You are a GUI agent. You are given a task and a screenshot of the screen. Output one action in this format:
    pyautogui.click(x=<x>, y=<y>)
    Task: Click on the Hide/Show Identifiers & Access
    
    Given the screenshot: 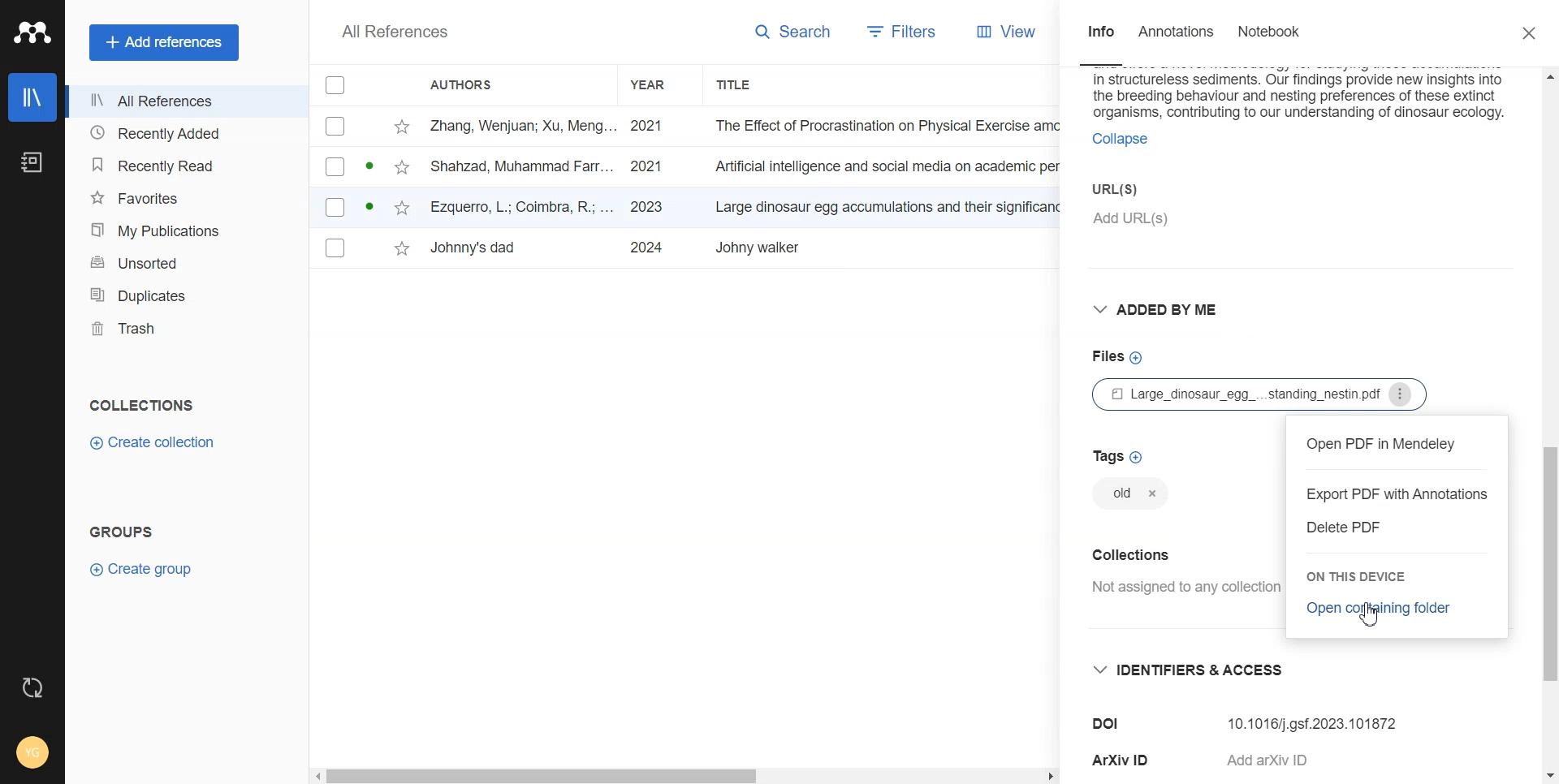 What is the action you would take?
    pyautogui.click(x=1198, y=669)
    